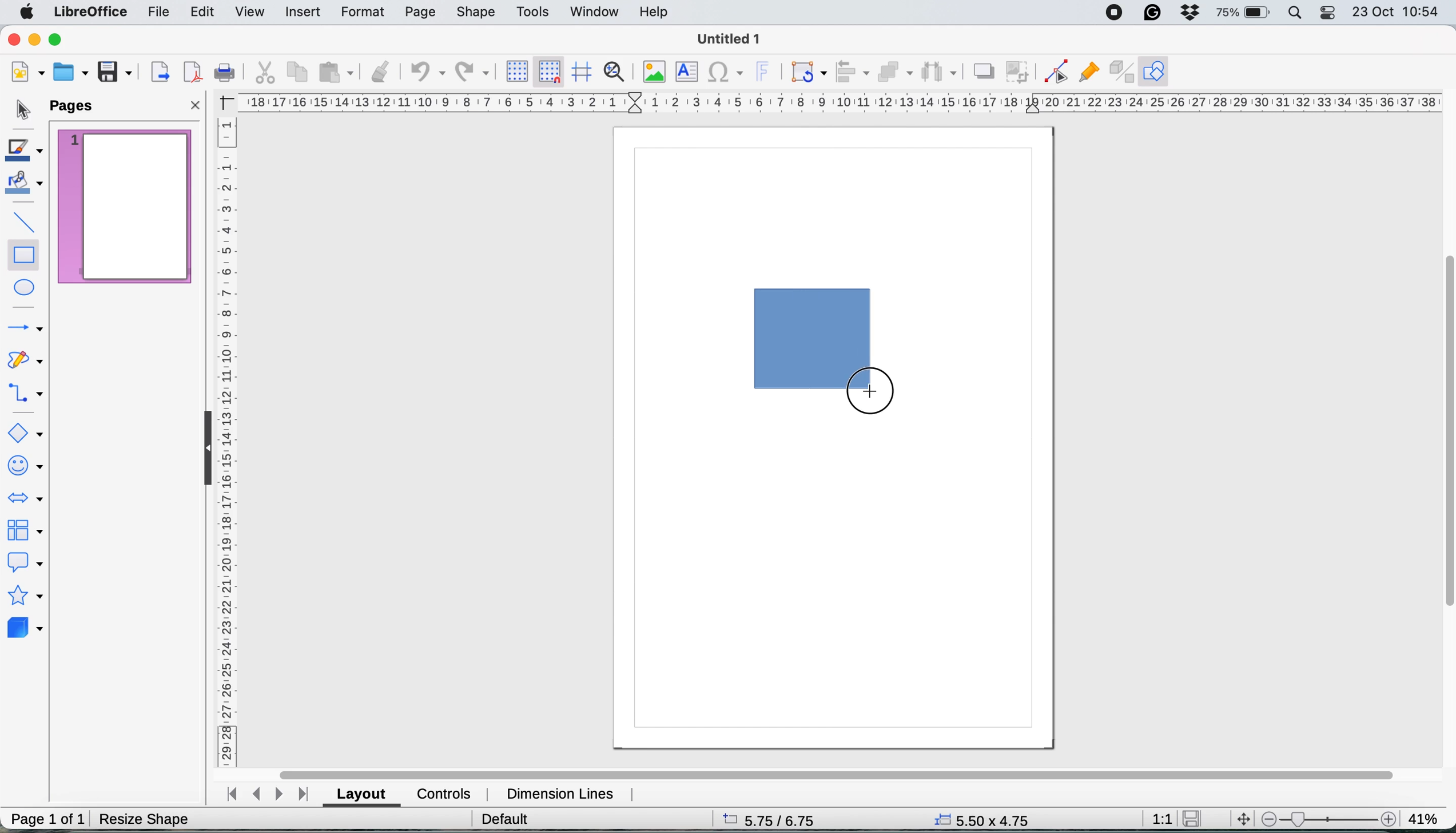  Describe the element at coordinates (1397, 12) in the screenshot. I see `23 oct 10:54` at that location.